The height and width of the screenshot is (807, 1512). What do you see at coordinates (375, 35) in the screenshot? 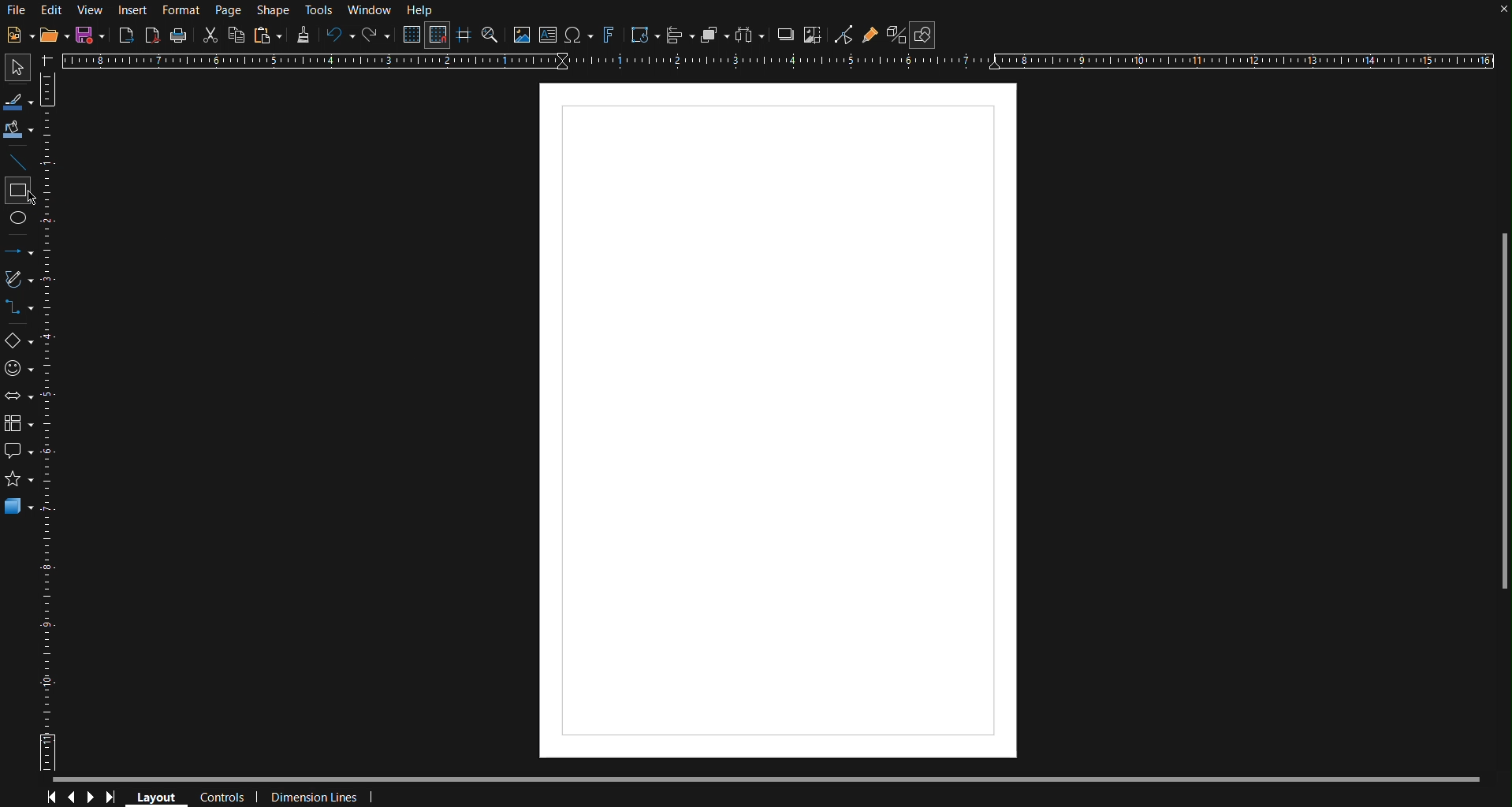
I see `Redo` at bounding box center [375, 35].